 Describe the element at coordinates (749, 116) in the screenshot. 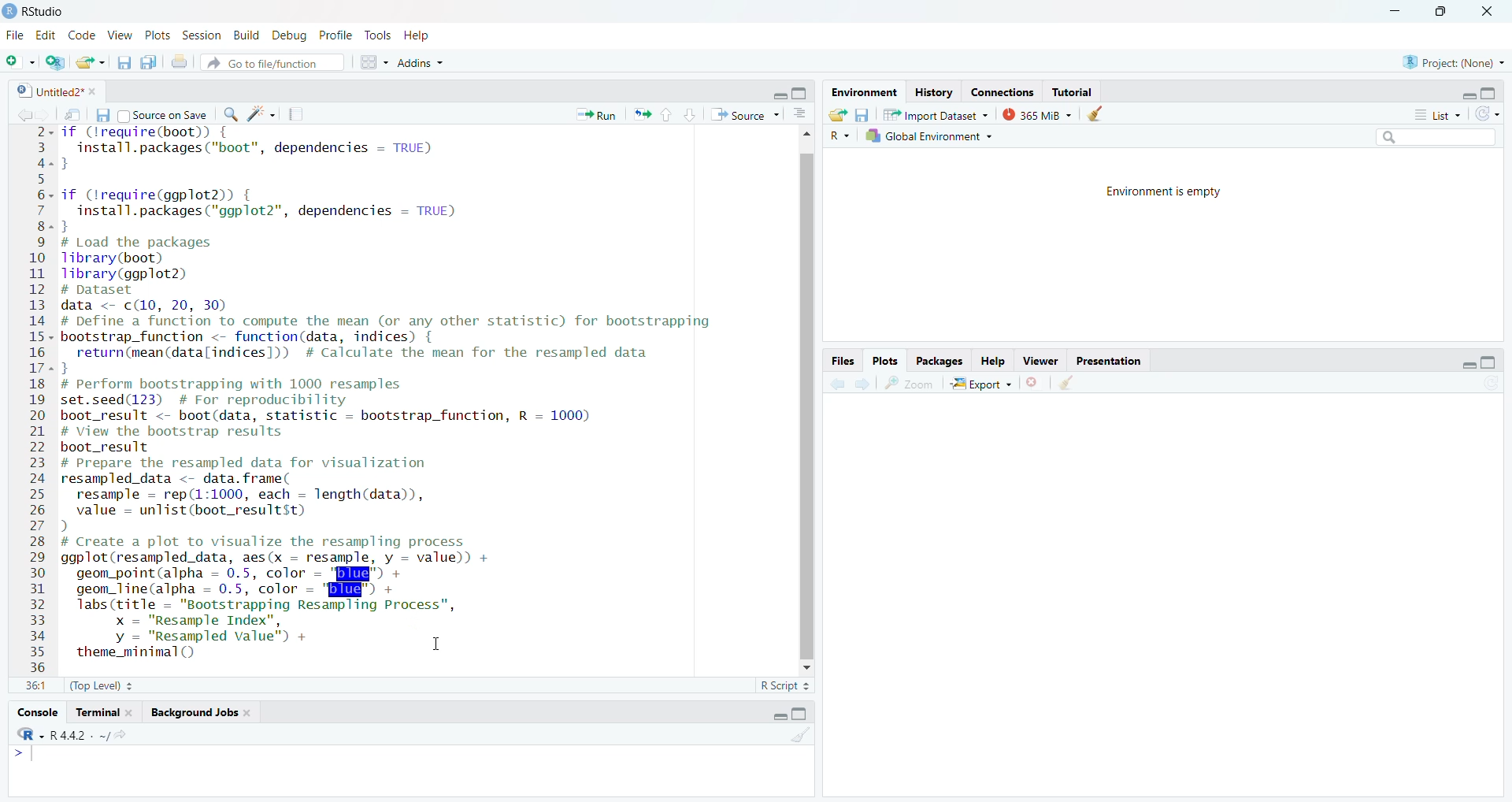

I see ` Source ~` at that location.